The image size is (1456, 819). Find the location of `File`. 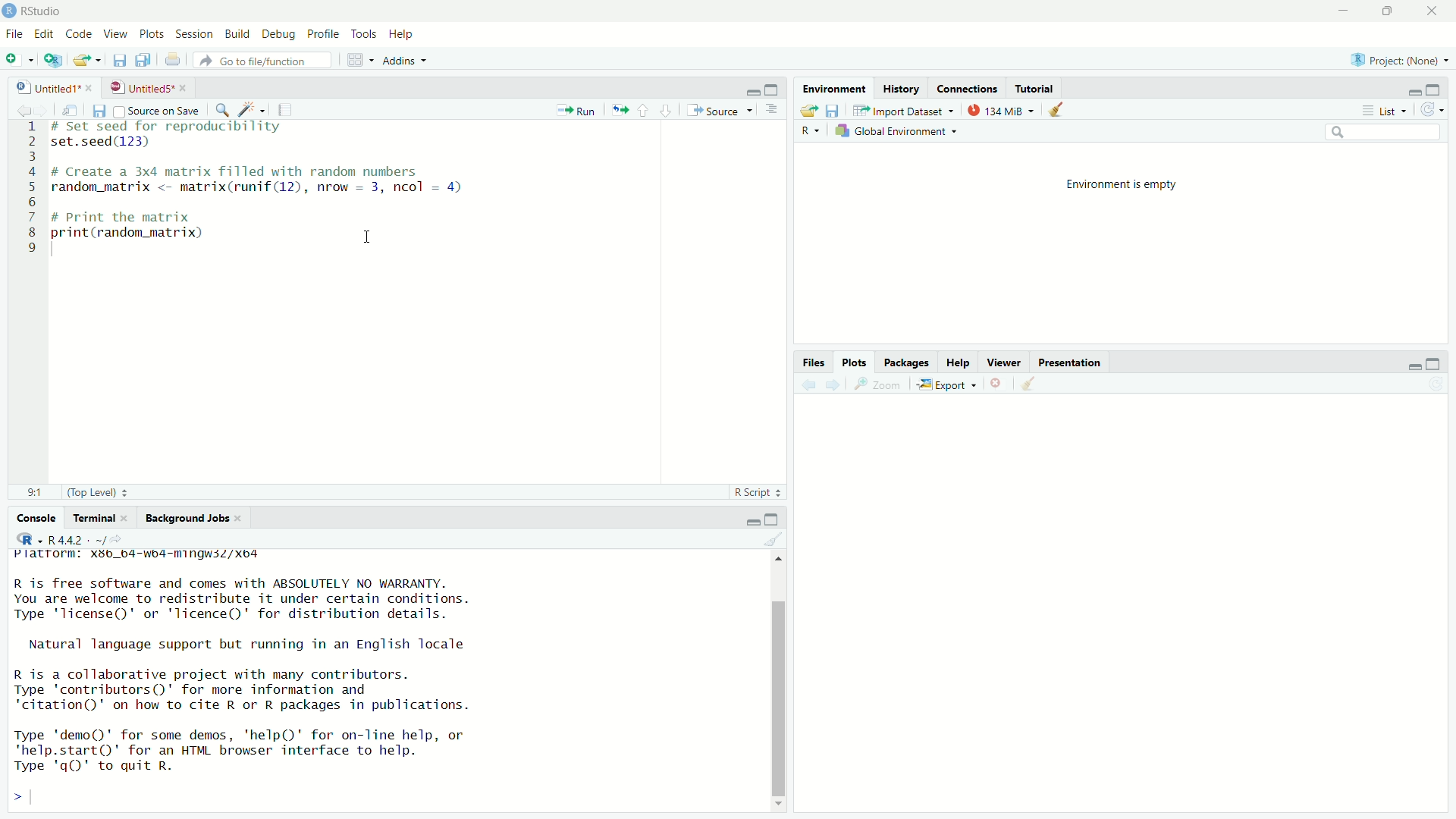

File is located at coordinates (15, 33).